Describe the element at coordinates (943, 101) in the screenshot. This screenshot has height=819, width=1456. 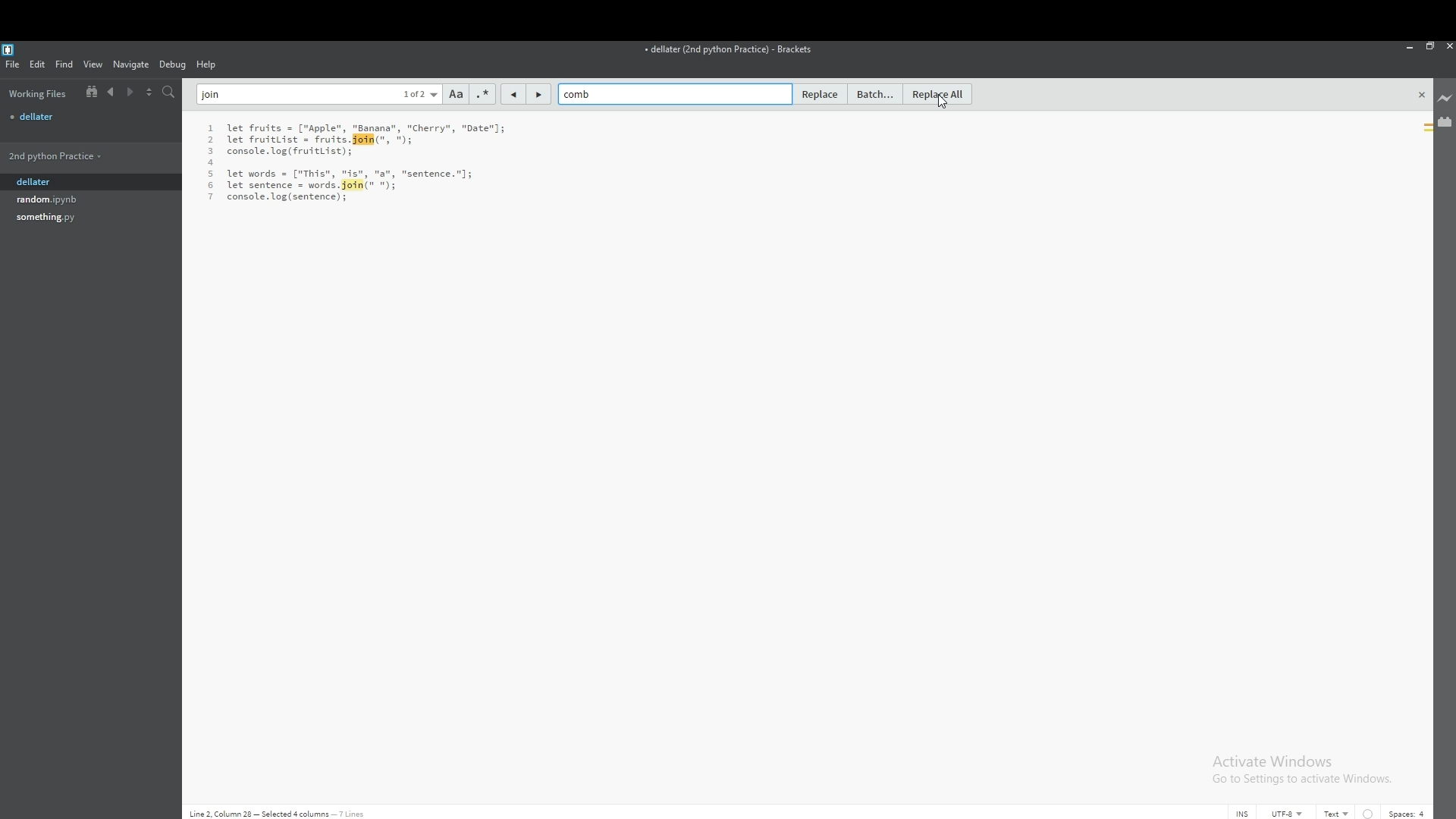
I see `cursor` at that location.